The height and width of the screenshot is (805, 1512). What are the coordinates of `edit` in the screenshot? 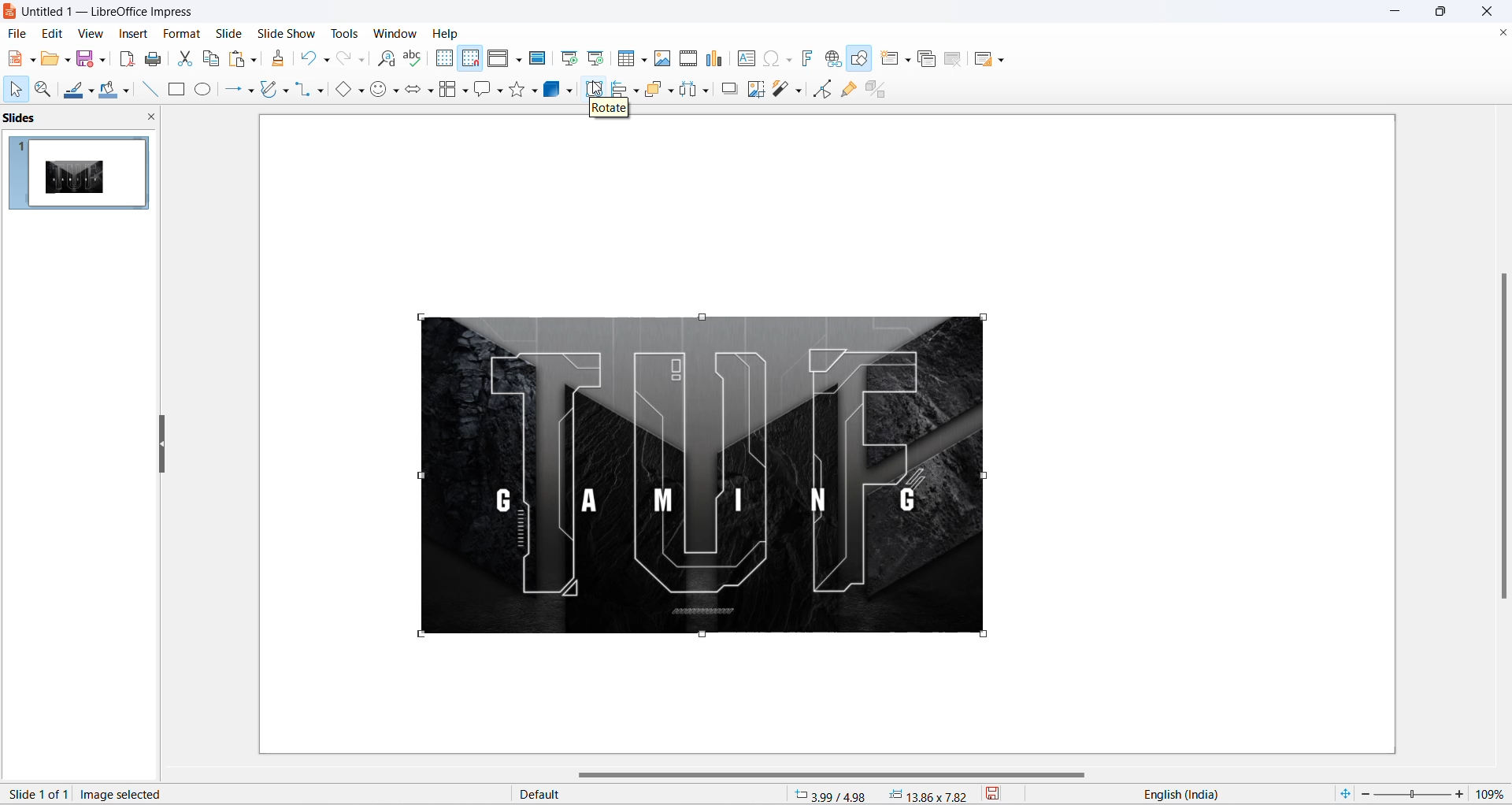 It's located at (54, 33).